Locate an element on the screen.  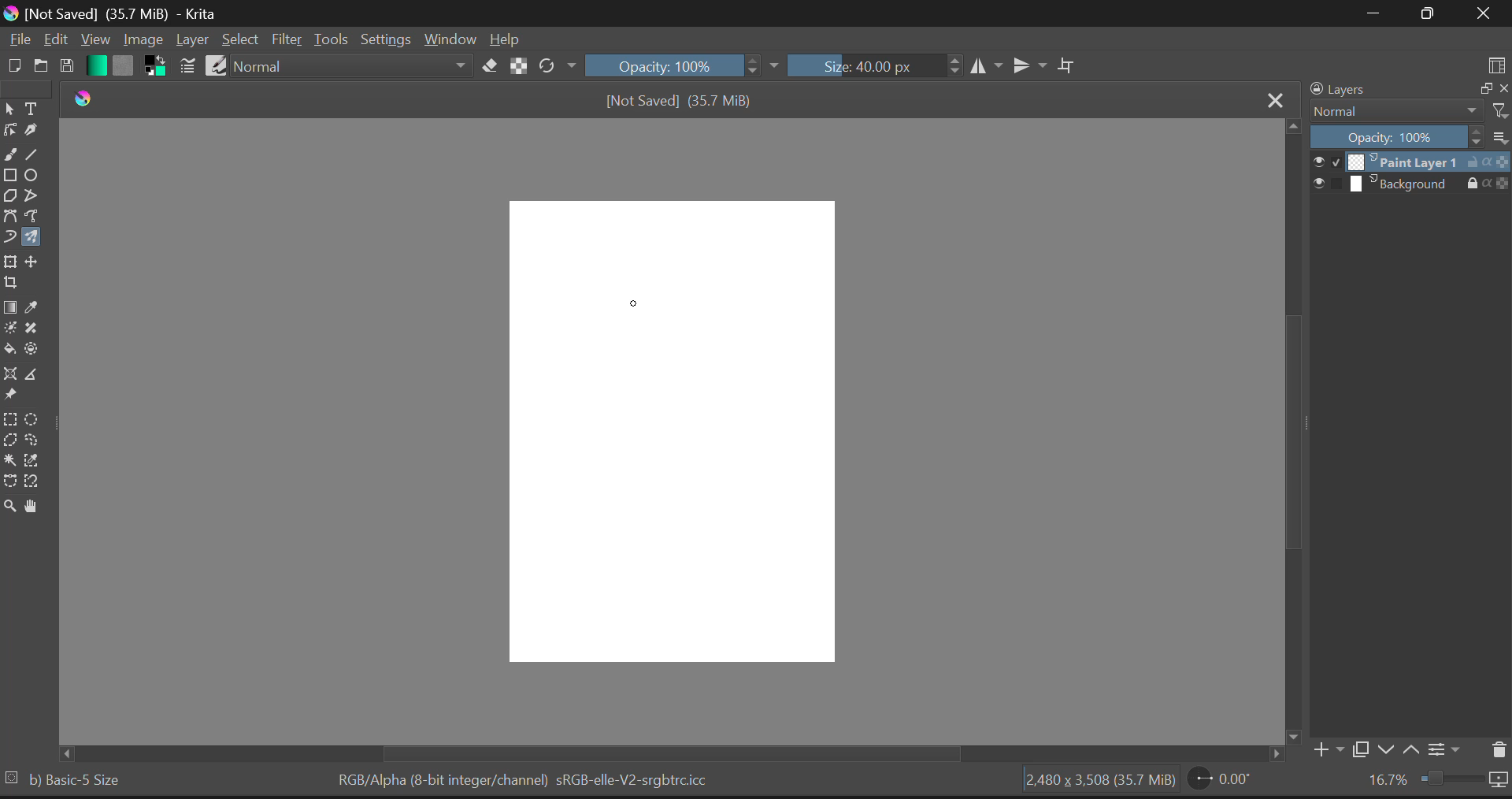
selection is located at coordinates (13, 777).